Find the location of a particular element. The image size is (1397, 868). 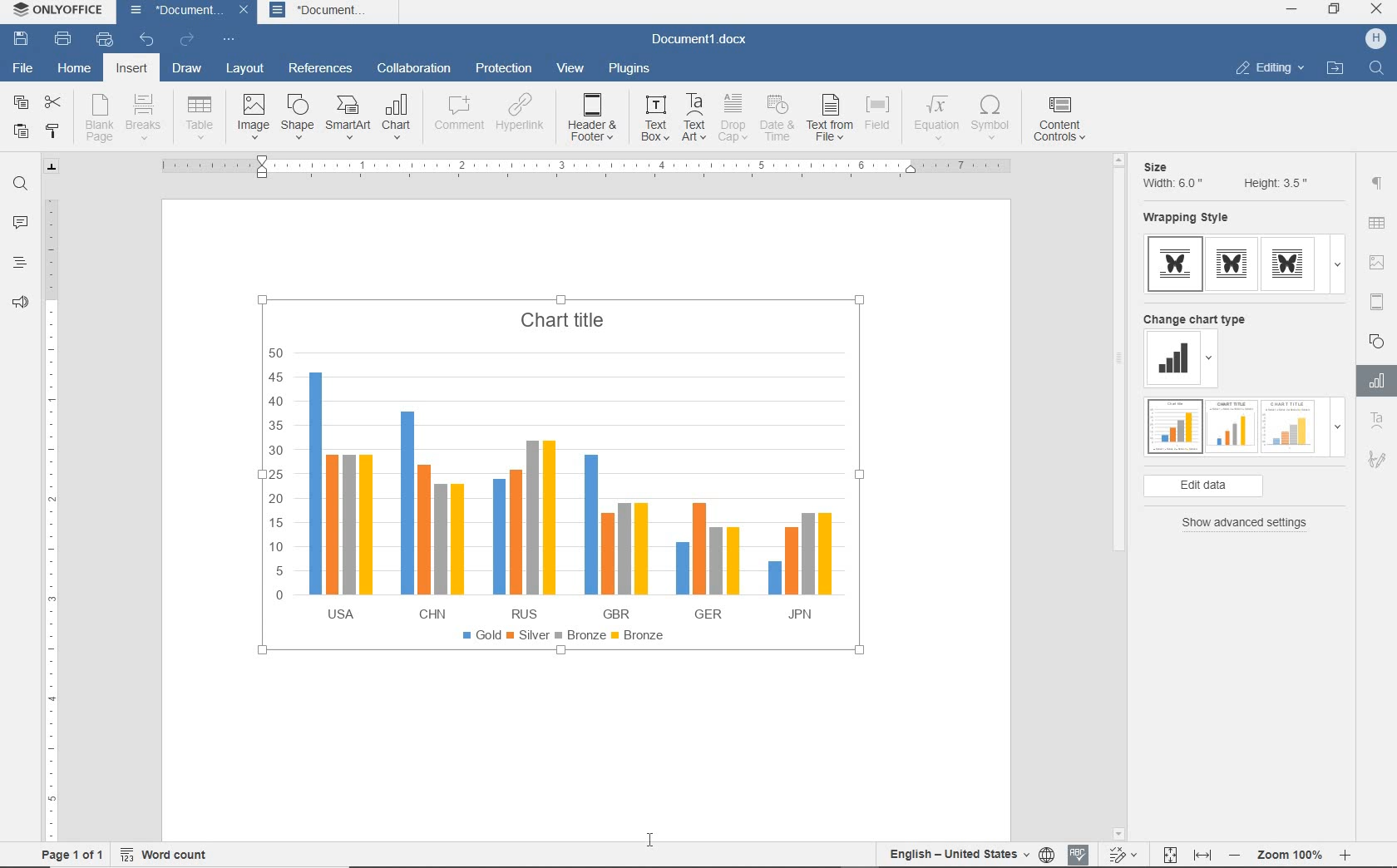

cursor is located at coordinates (655, 836).